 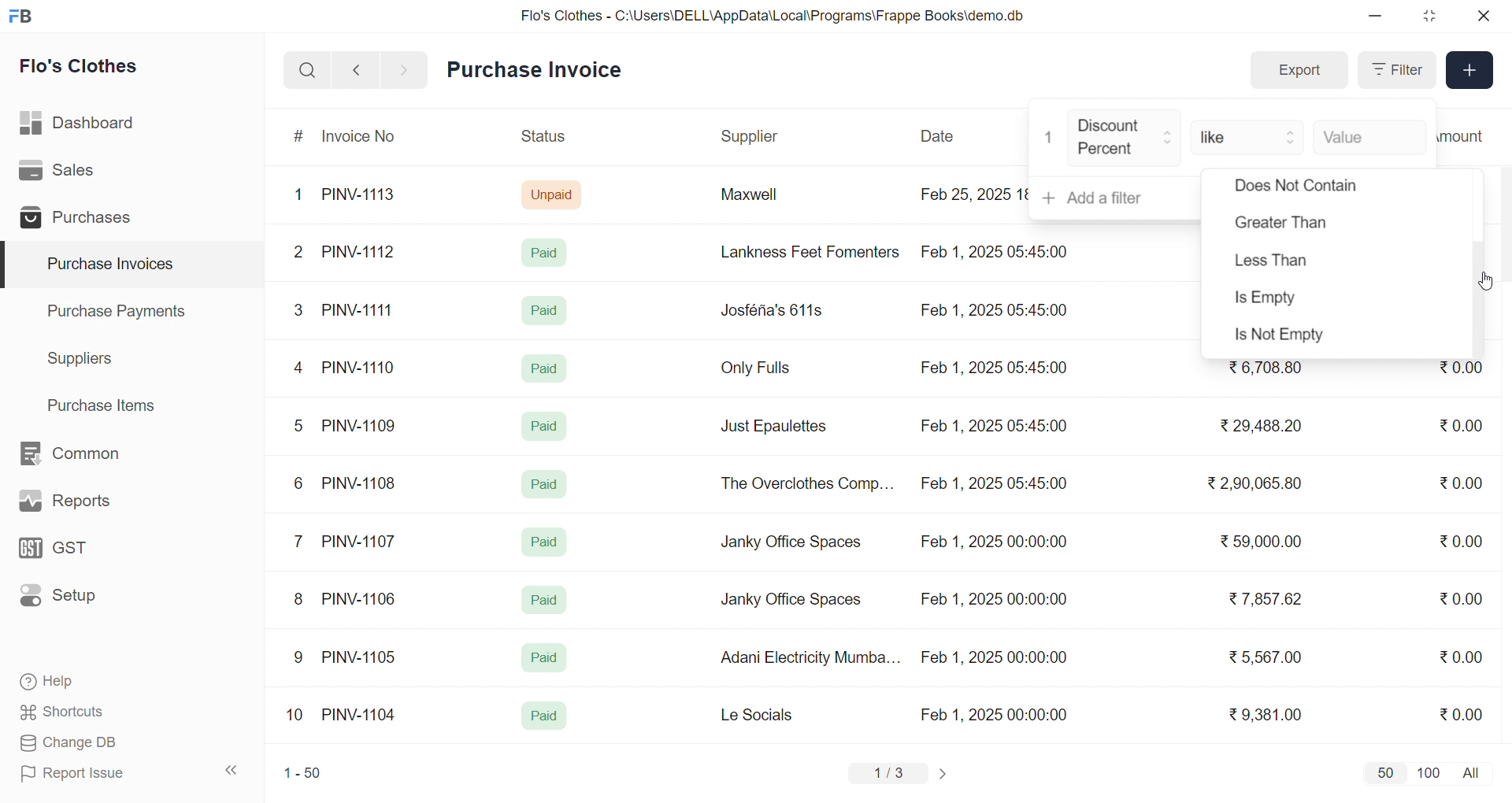 I want to click on PINV-1112, so click(x=358, y=253).